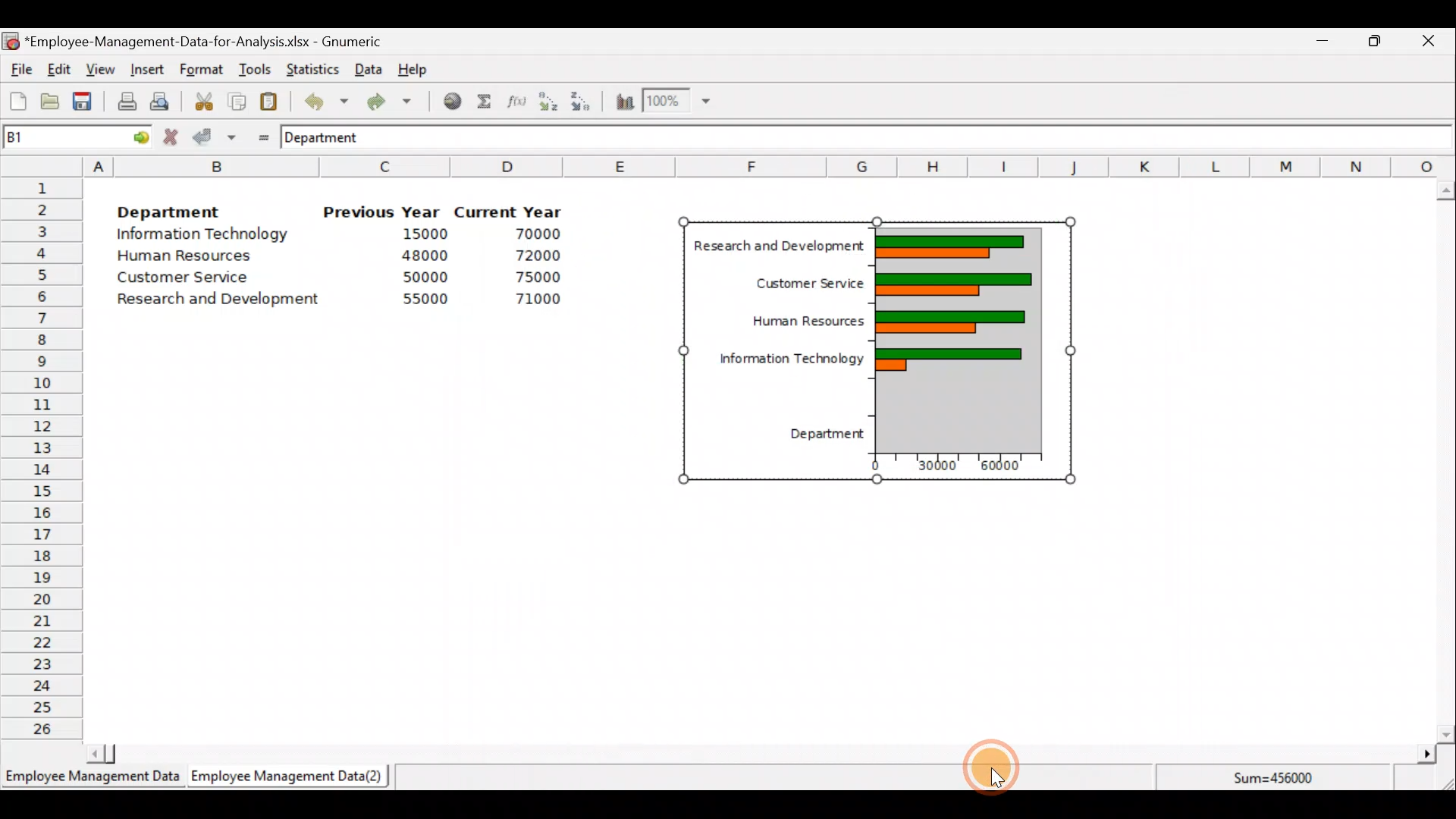 This screenshot has height=819, width=1456. Describe the element at coordinates (187, 281) in the screenshot. I see `Customer Service` at that location.